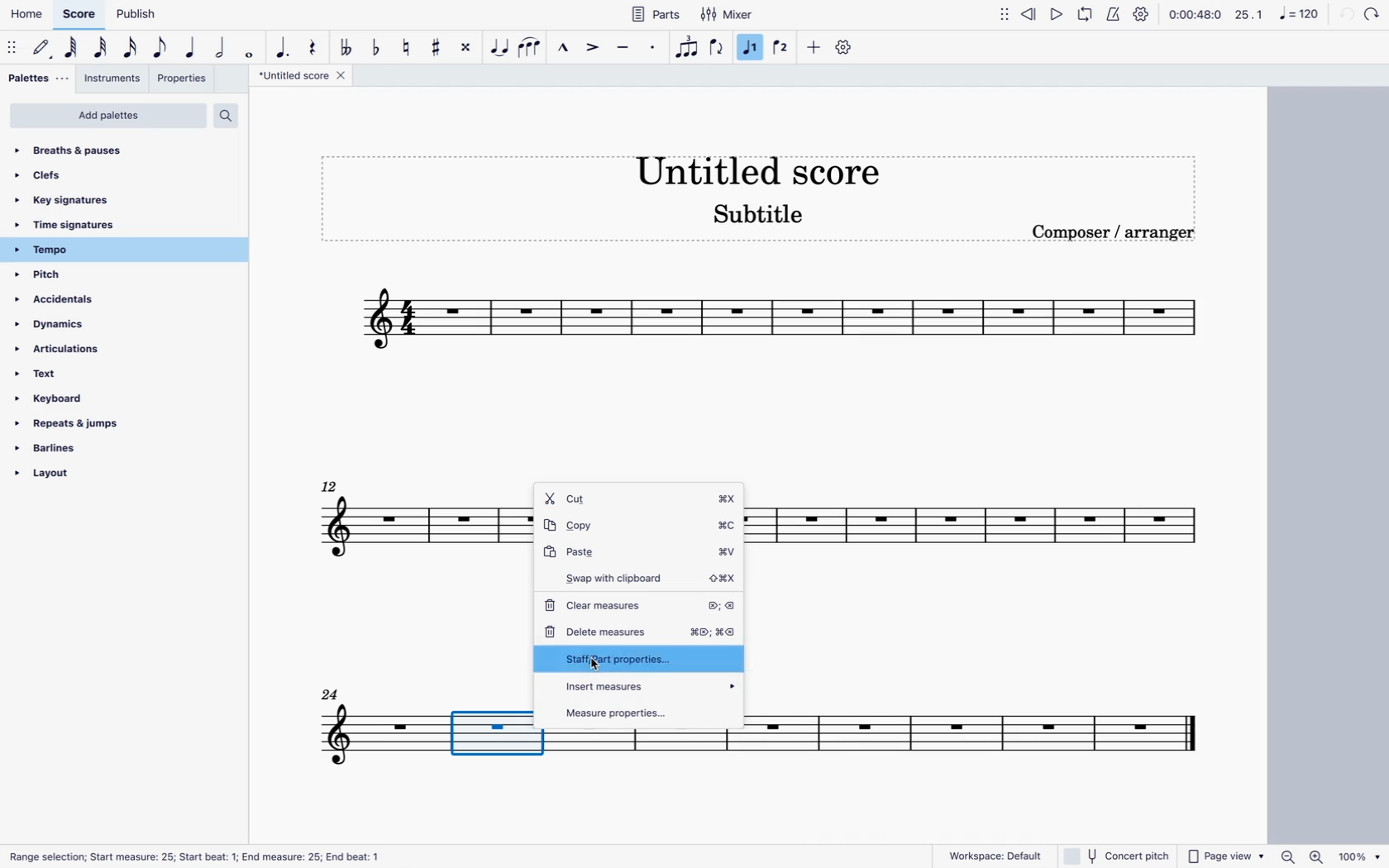 The height and width of the screenshot is (868, 1389). Describe the element at coordinates (781, 49) in the screenshot. I see `voice 2` at that location.